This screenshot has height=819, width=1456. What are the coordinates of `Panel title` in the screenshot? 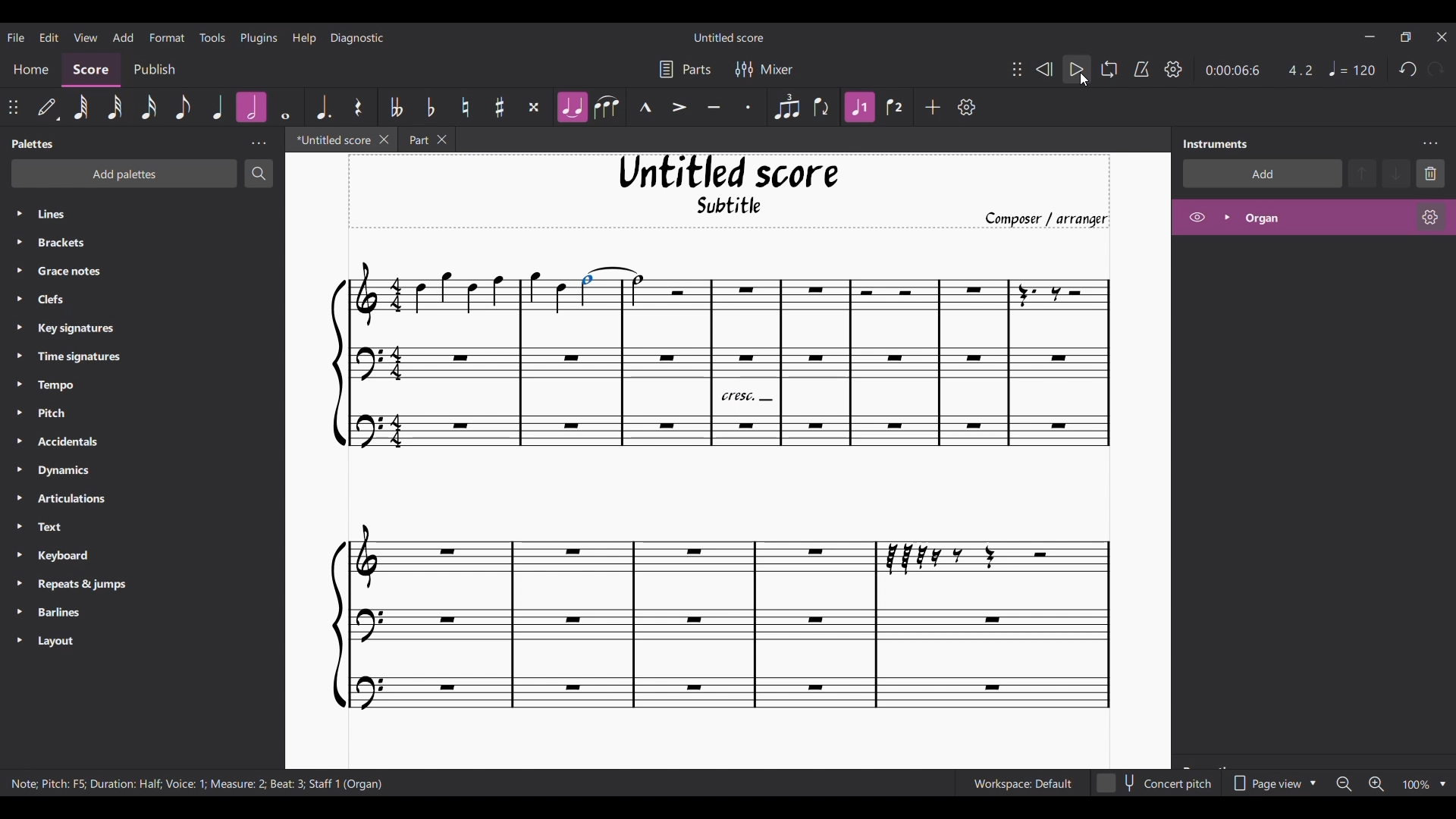 It's located at (1216, 144).